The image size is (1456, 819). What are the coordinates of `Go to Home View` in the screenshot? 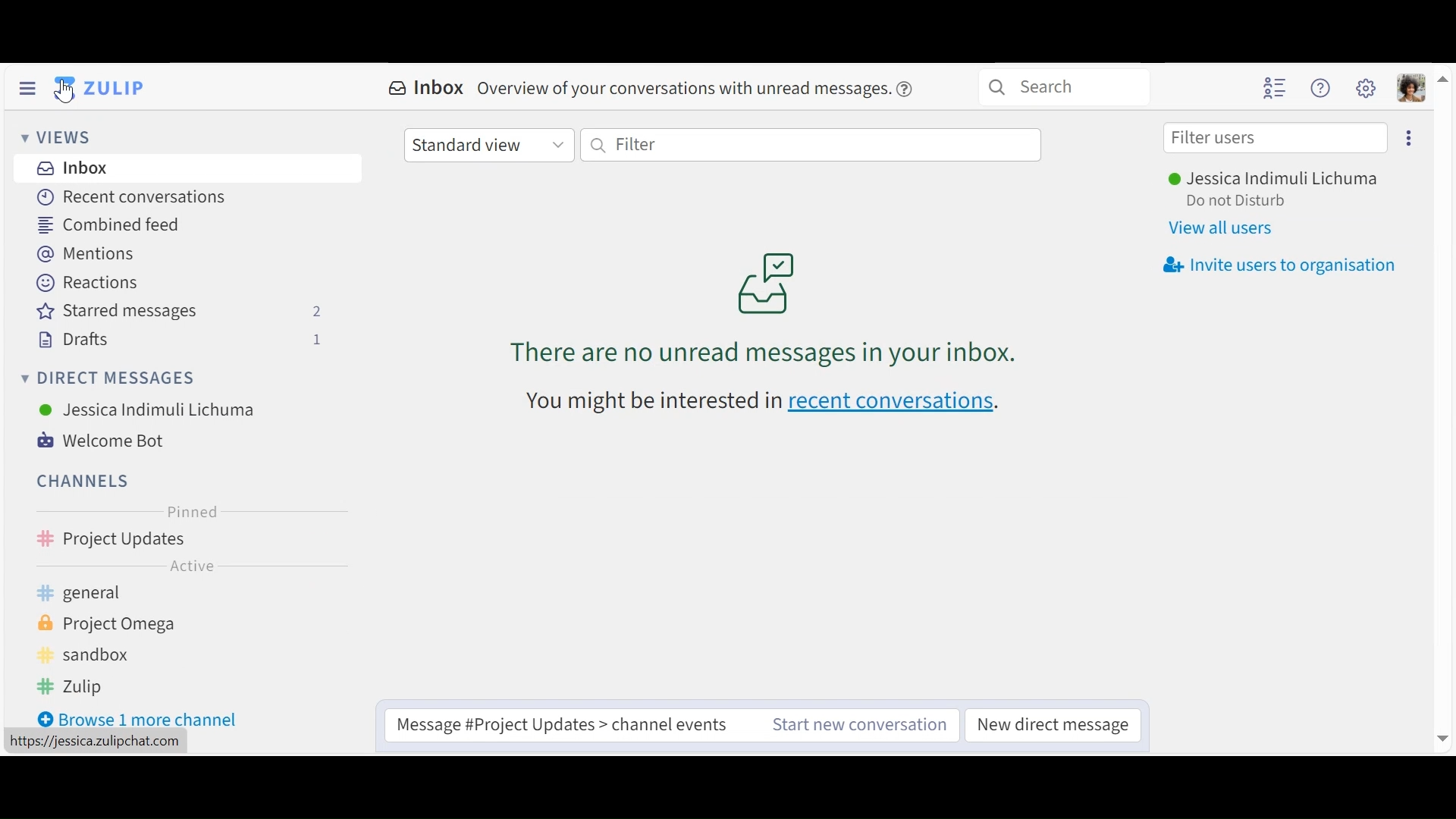 It's located at (99, 87).